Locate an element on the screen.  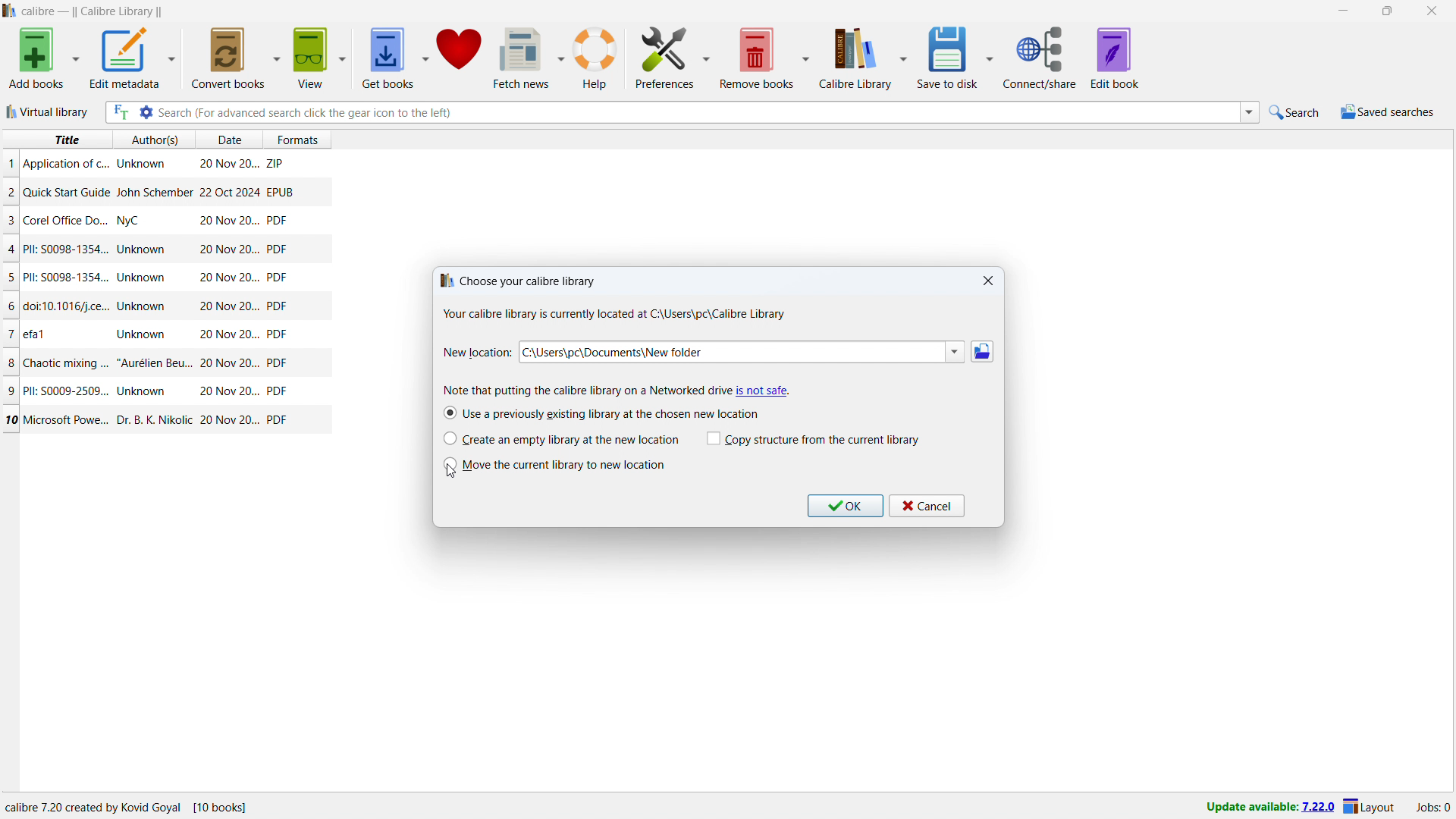
Title is located at coordinates (67, 277).